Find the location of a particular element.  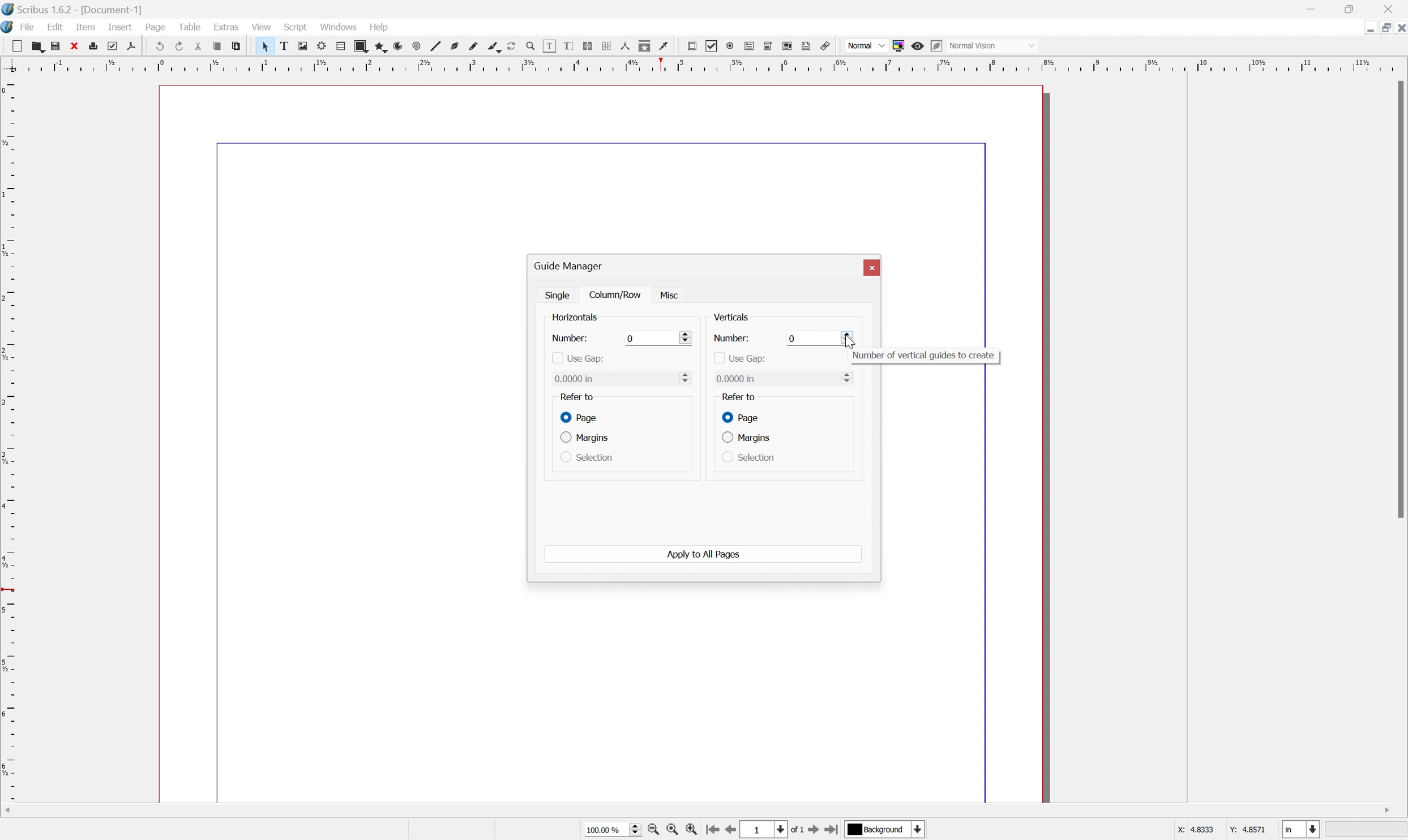

guide manager is located at coordinates (570, 265).